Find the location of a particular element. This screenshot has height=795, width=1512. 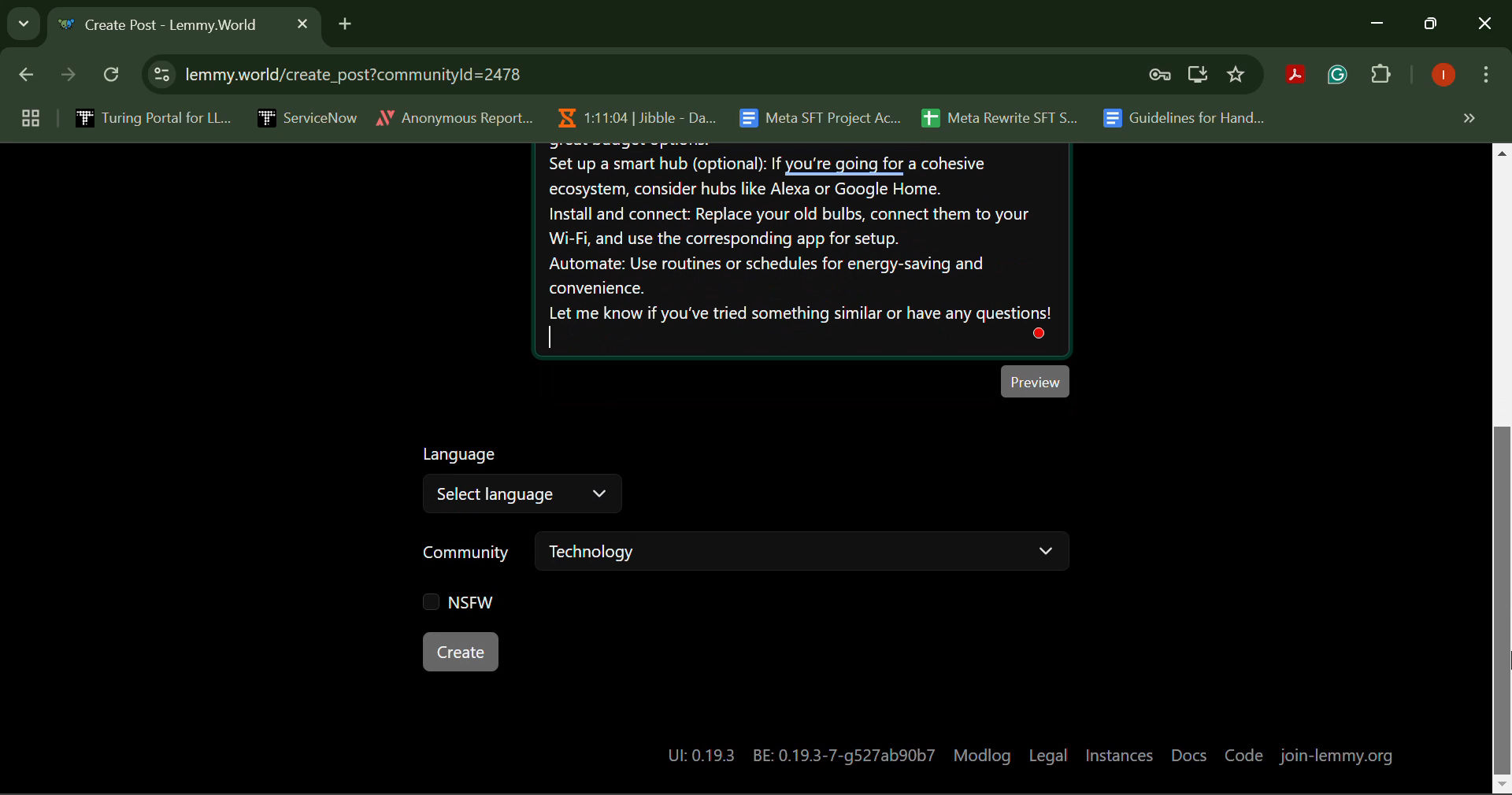

Browser Extension is located at coordinates (1341, 76).